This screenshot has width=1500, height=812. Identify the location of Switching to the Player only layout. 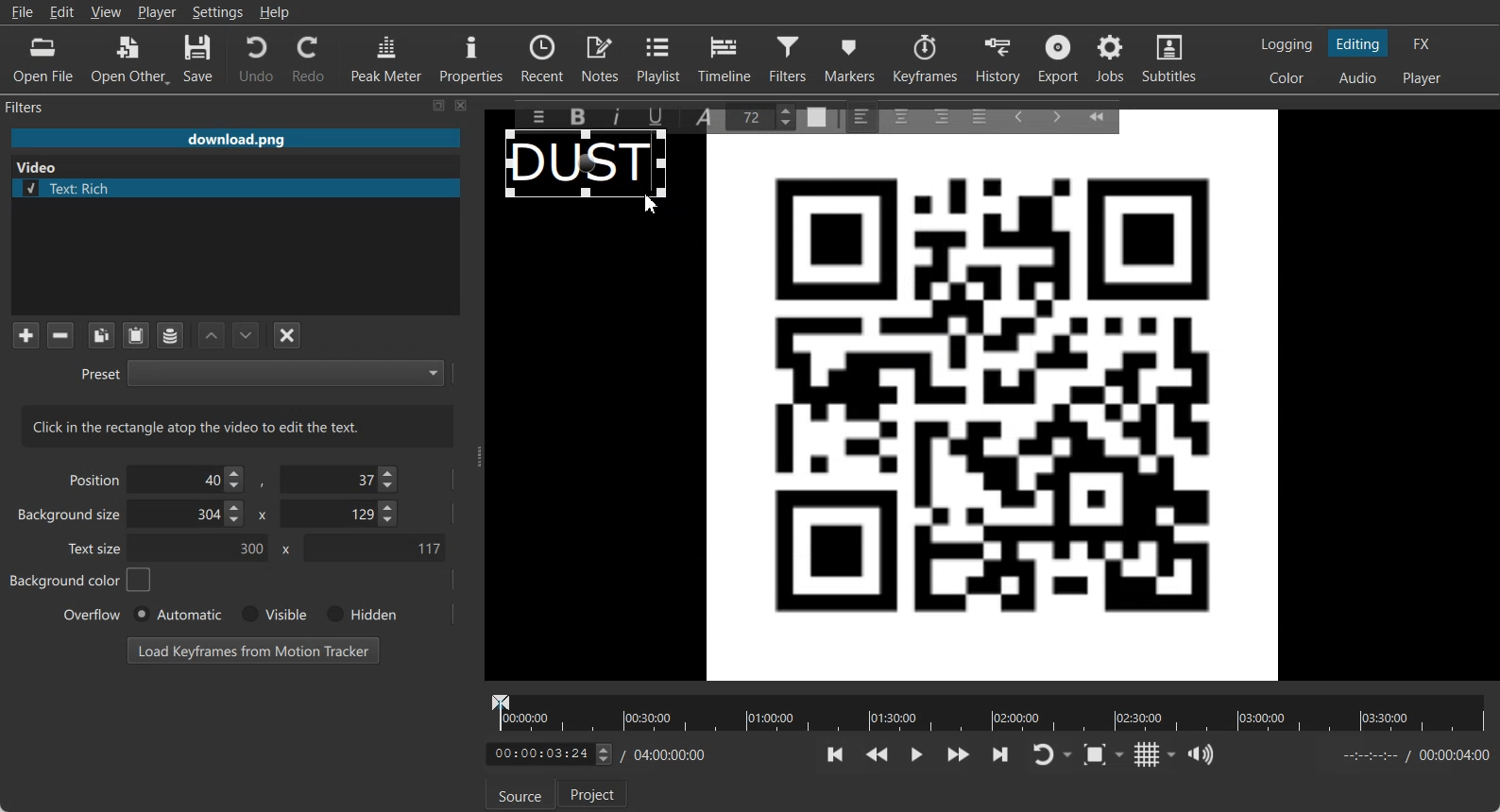
(1423, 78).